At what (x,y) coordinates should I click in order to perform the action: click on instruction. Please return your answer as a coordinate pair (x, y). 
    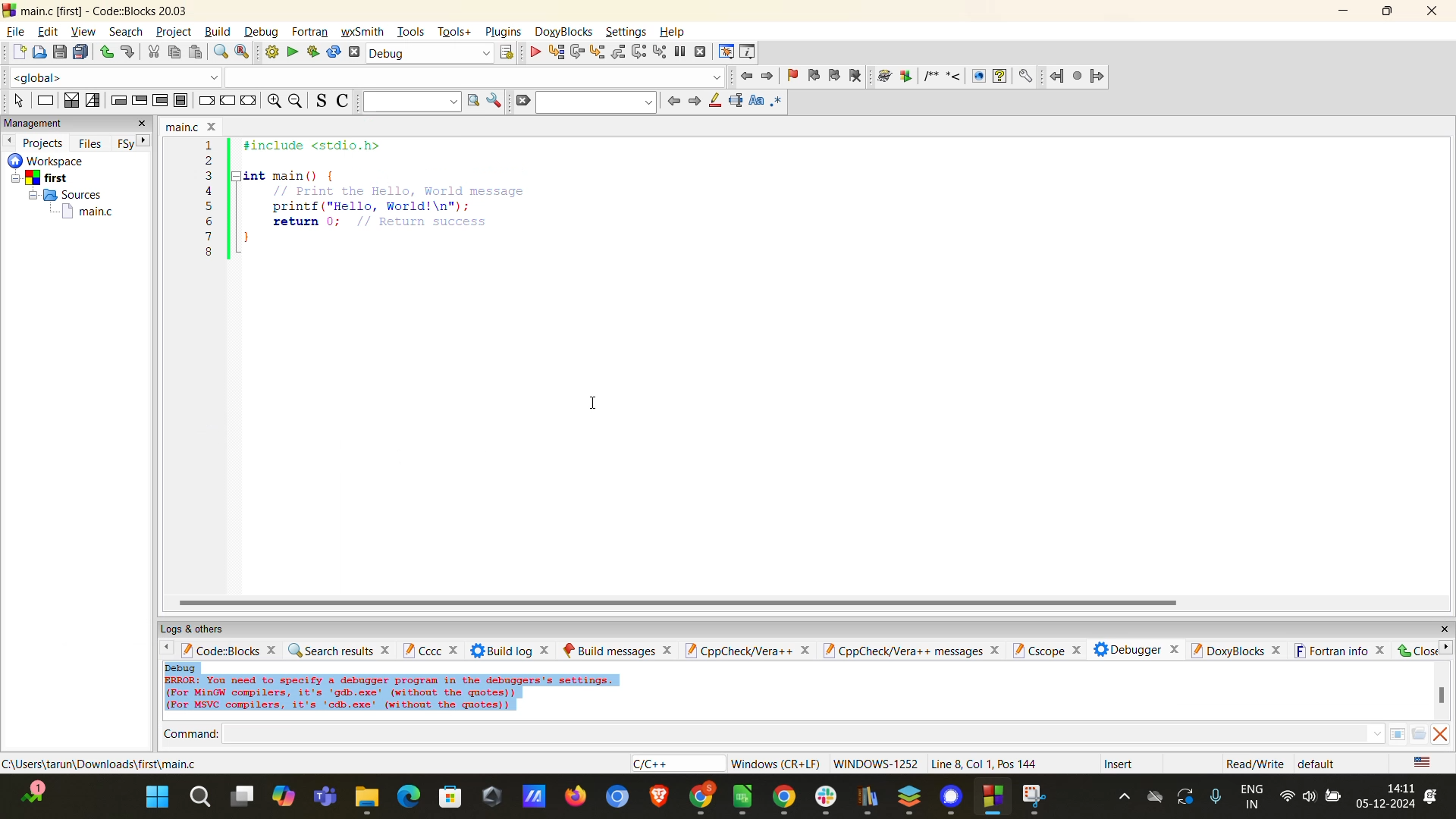
    Looking at the image, I should click on (44, 102).